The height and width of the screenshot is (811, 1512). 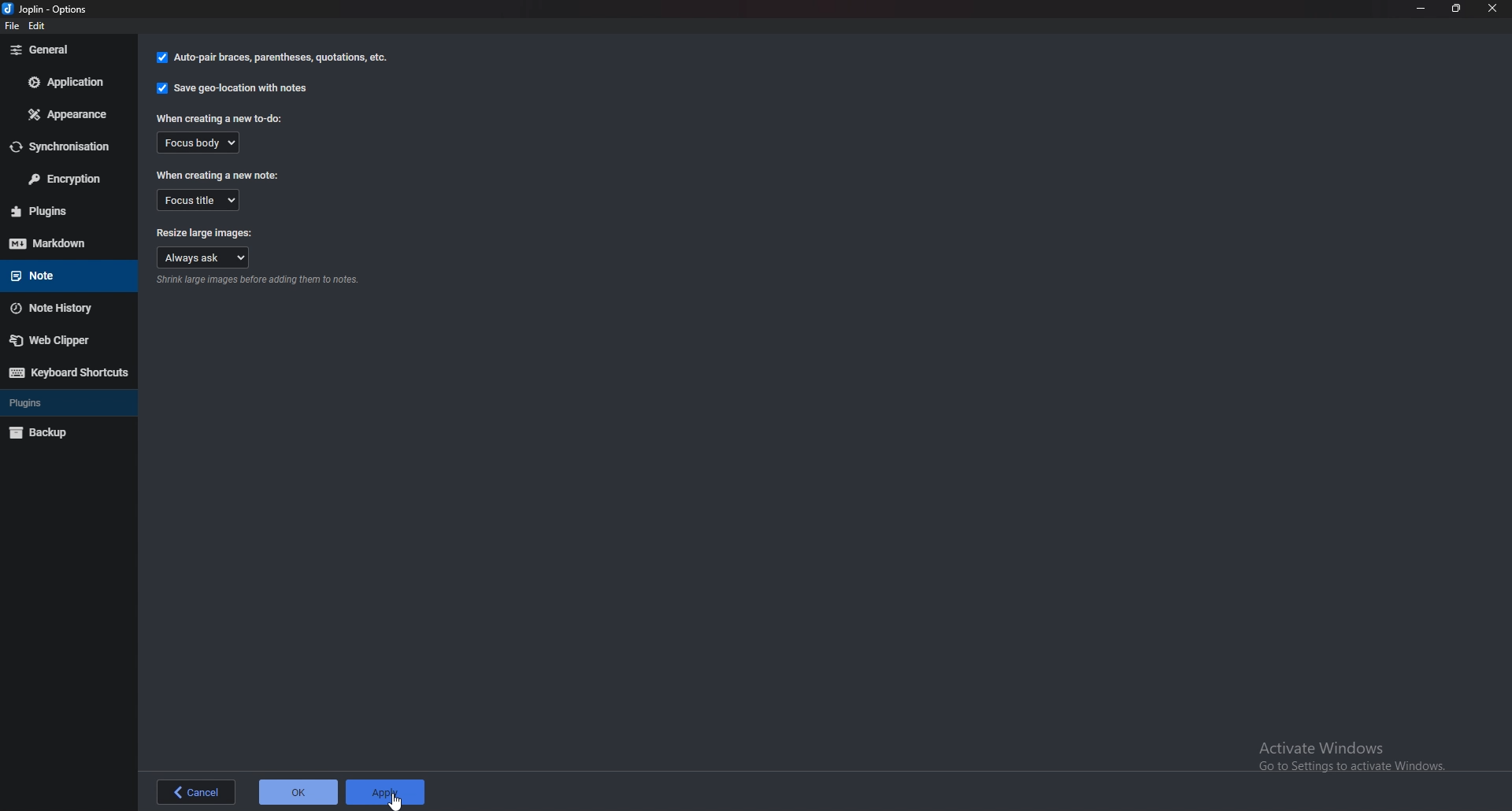 I want to click on apply, so click(x=389, y=791).